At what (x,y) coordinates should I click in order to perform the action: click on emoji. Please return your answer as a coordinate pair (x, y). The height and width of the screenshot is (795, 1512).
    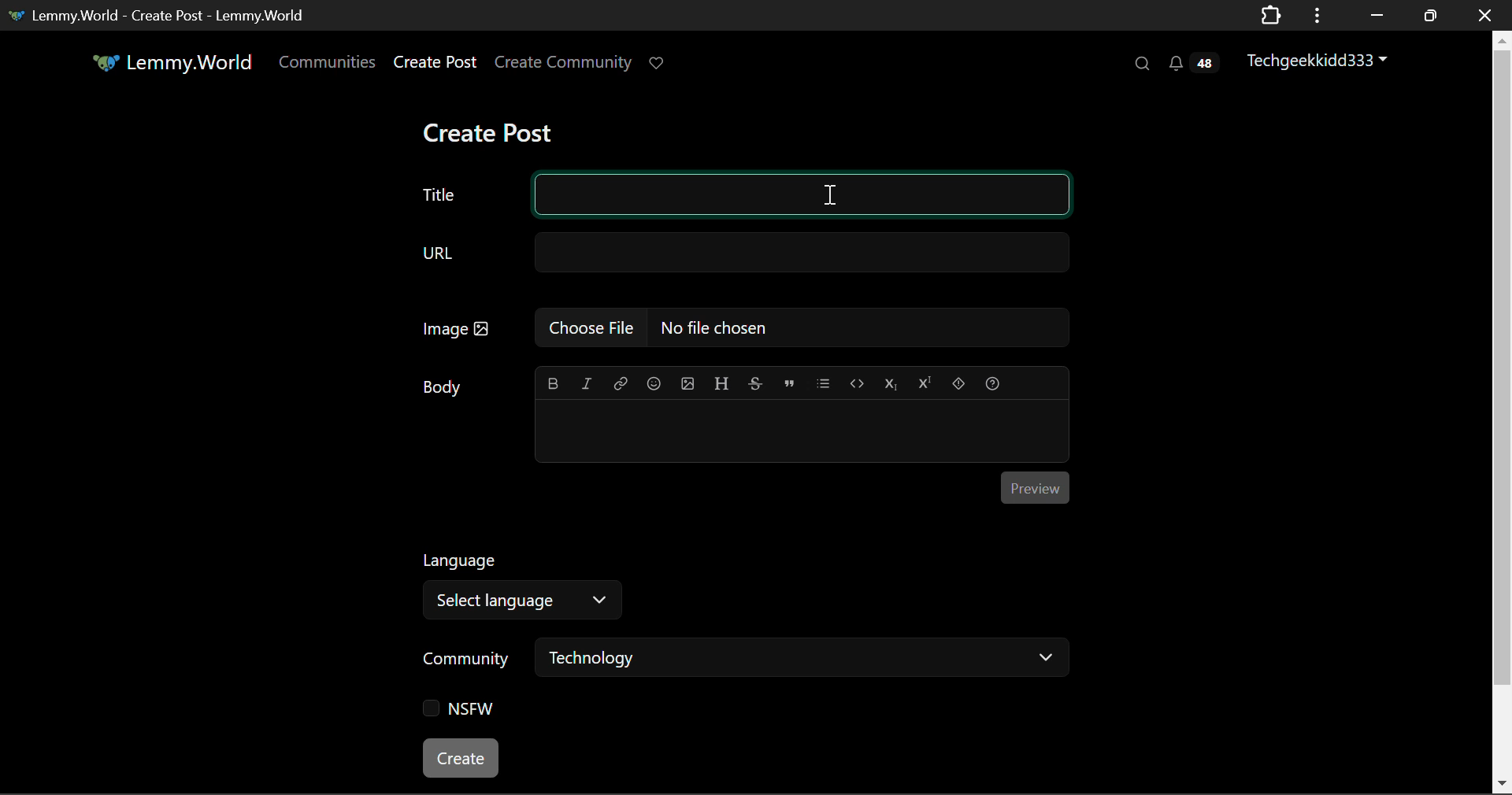
    Looking at the image, I should click on (651, 382).